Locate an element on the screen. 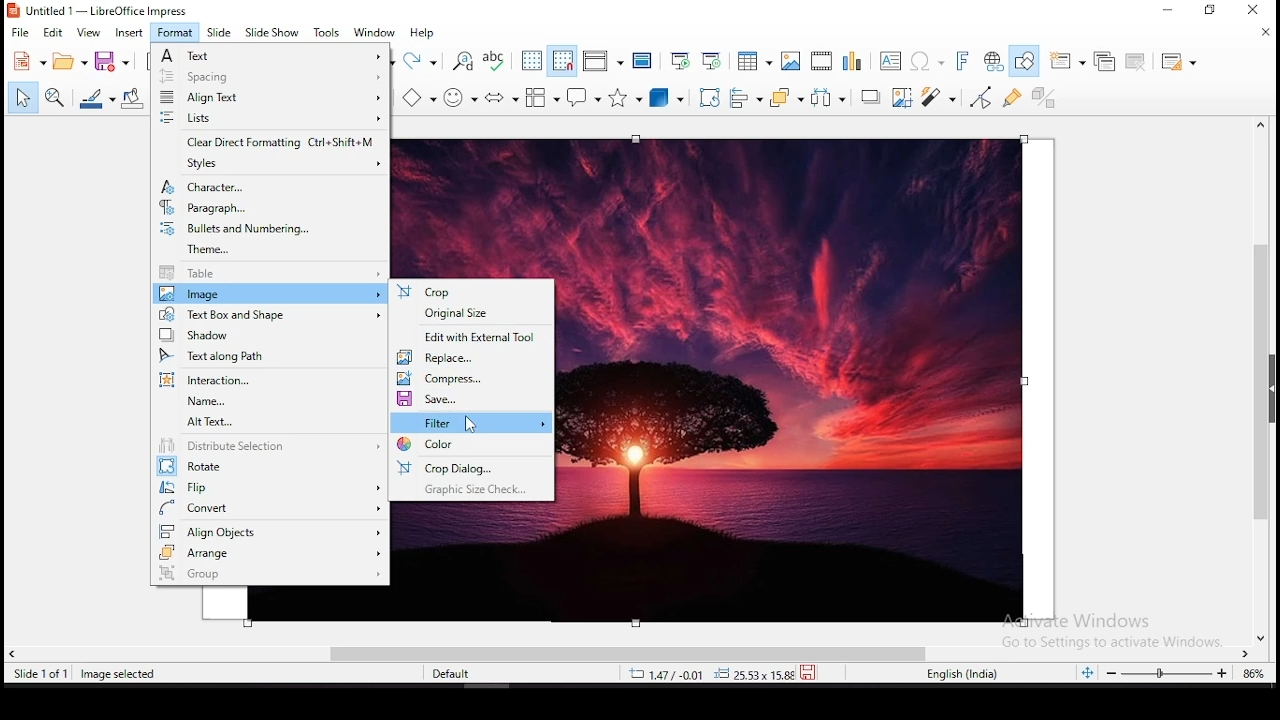  file is located at coordinates (18, 33).